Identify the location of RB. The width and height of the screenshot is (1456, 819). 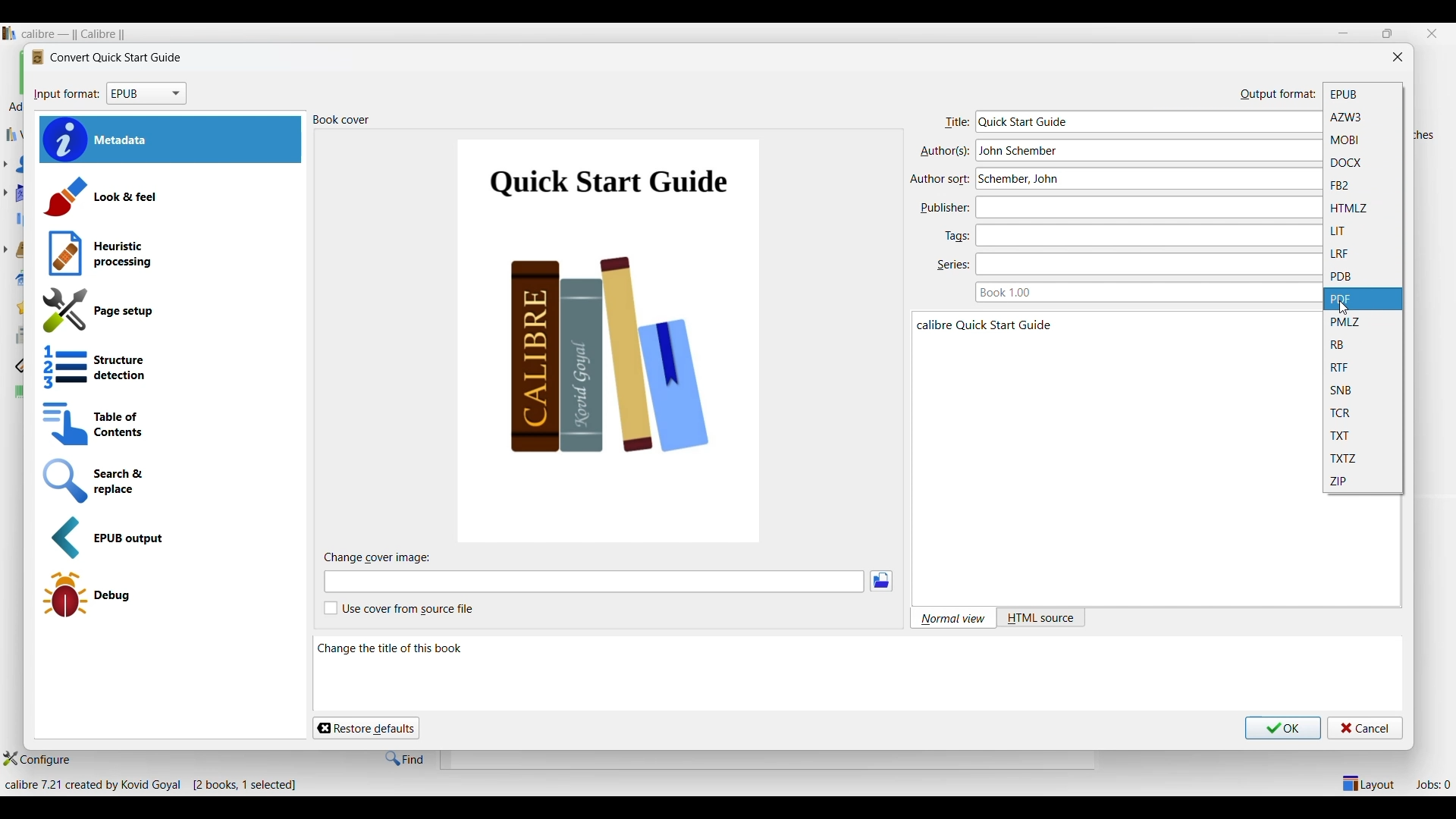
(1363, 345).